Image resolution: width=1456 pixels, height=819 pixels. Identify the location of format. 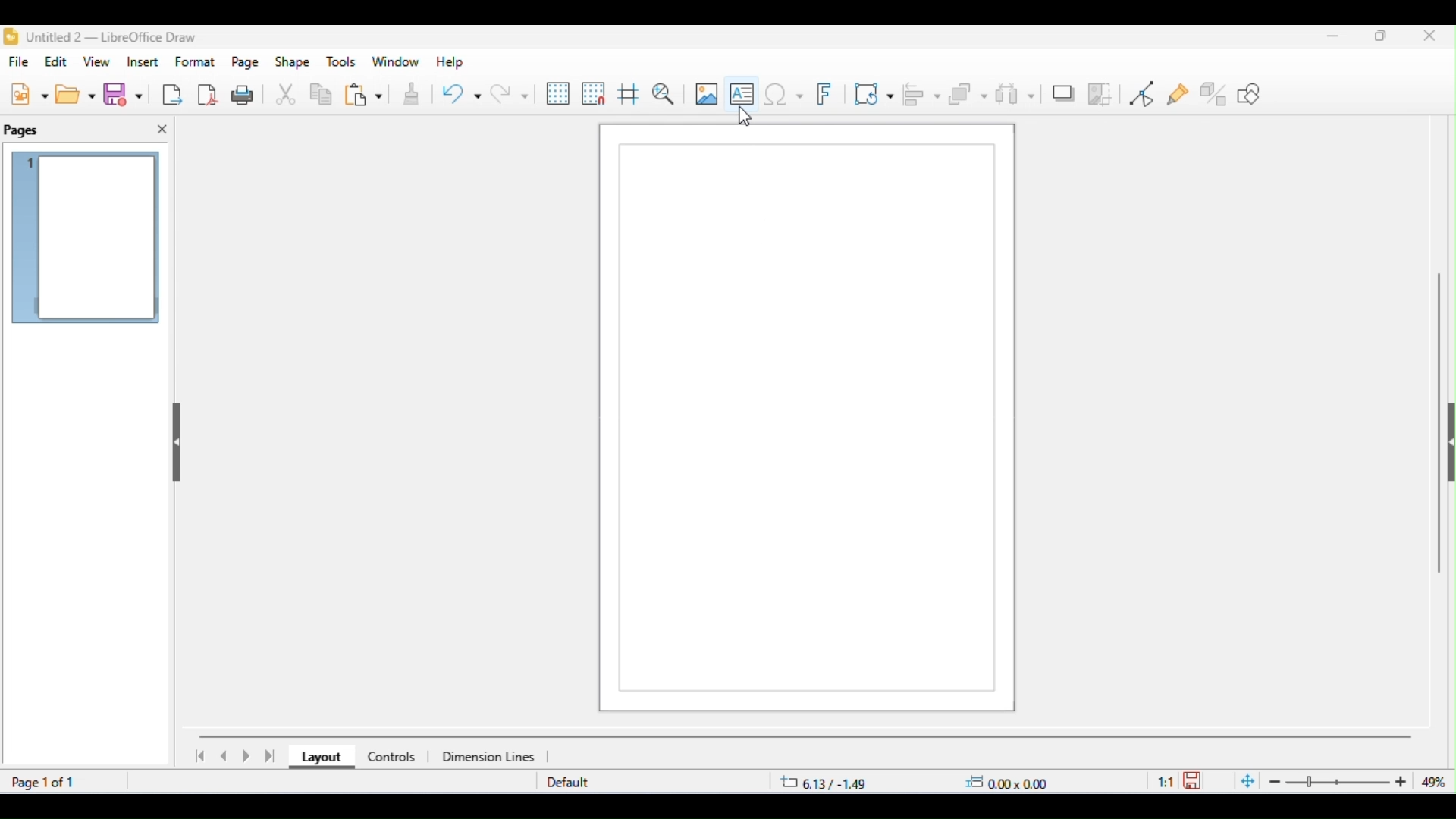
(196, 61).